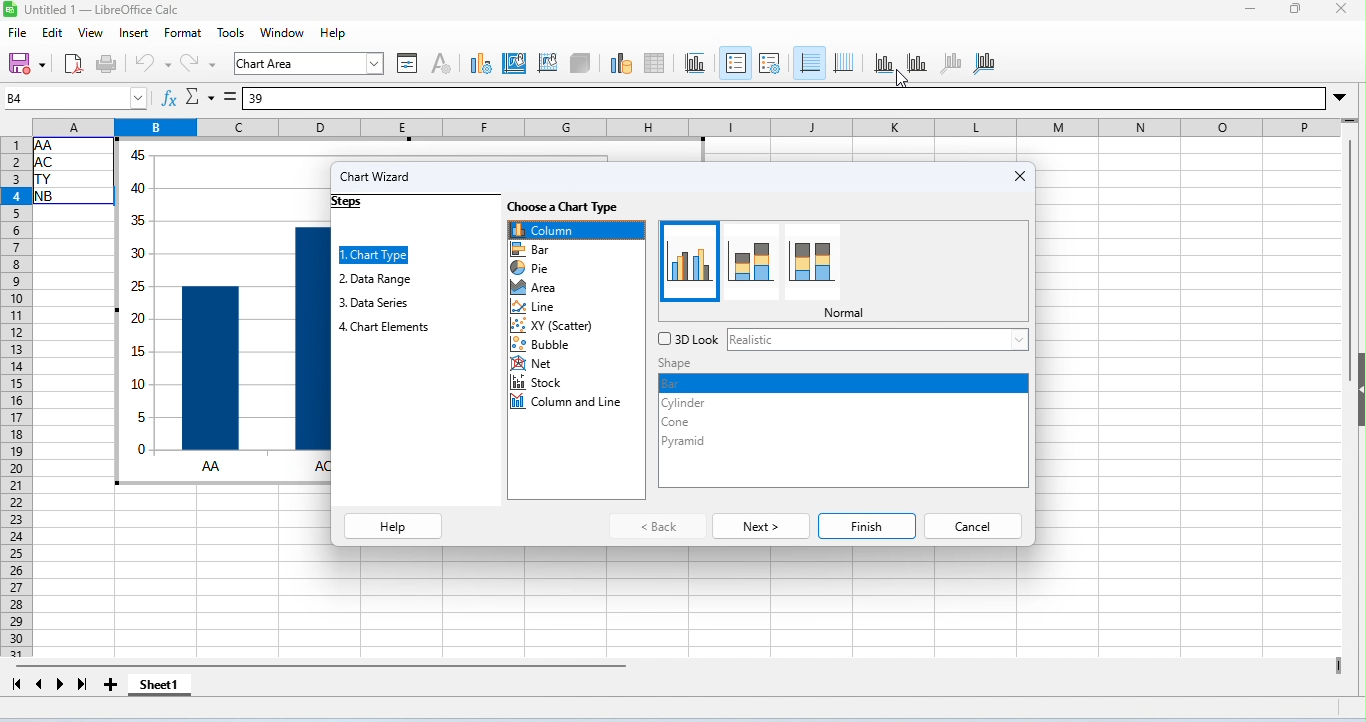  What do you see at coordinates (112, 685) in the screenshot?
I see `add new sheet` at bounding box center [112, 685].